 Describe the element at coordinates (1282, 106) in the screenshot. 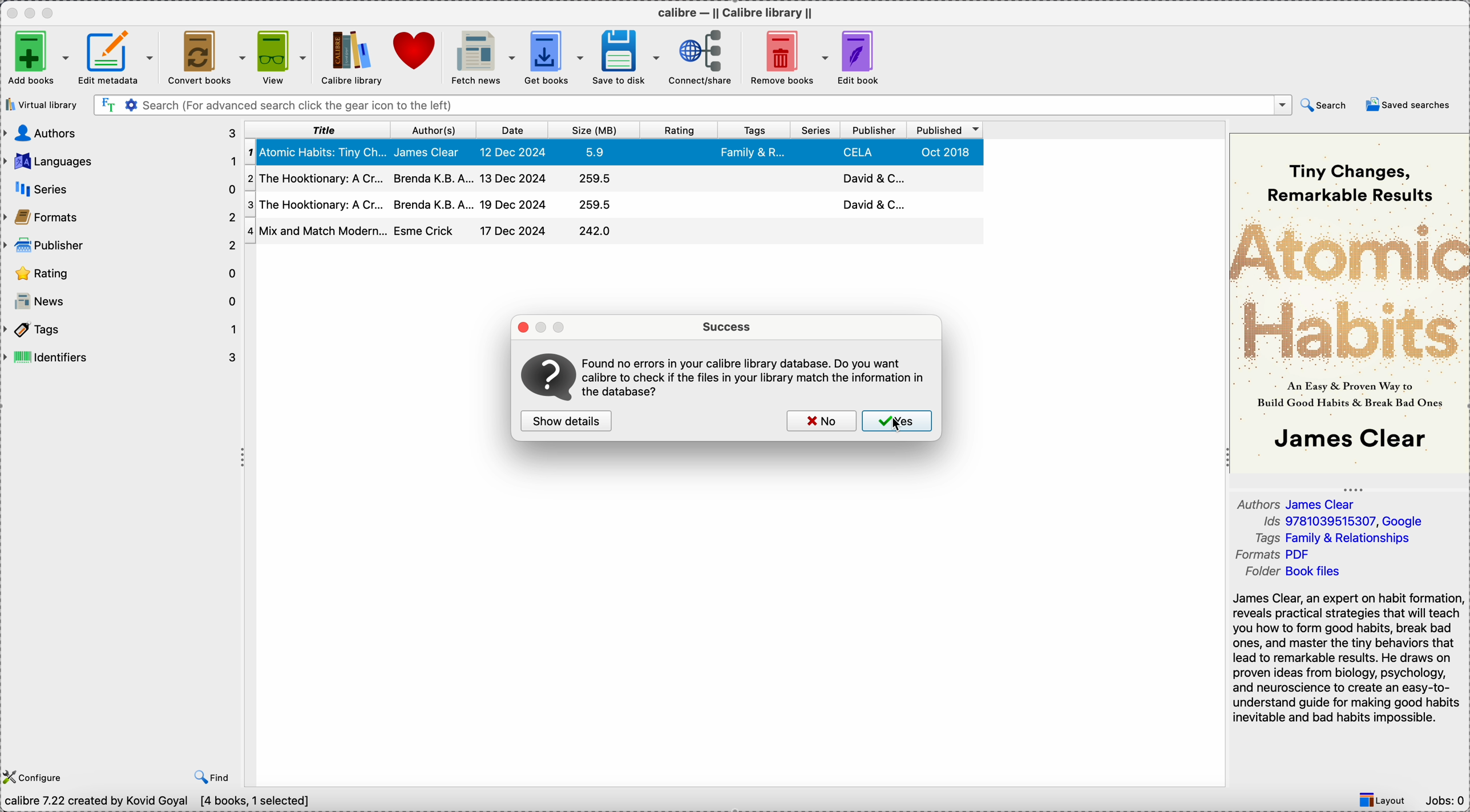

I see `options` at that location.